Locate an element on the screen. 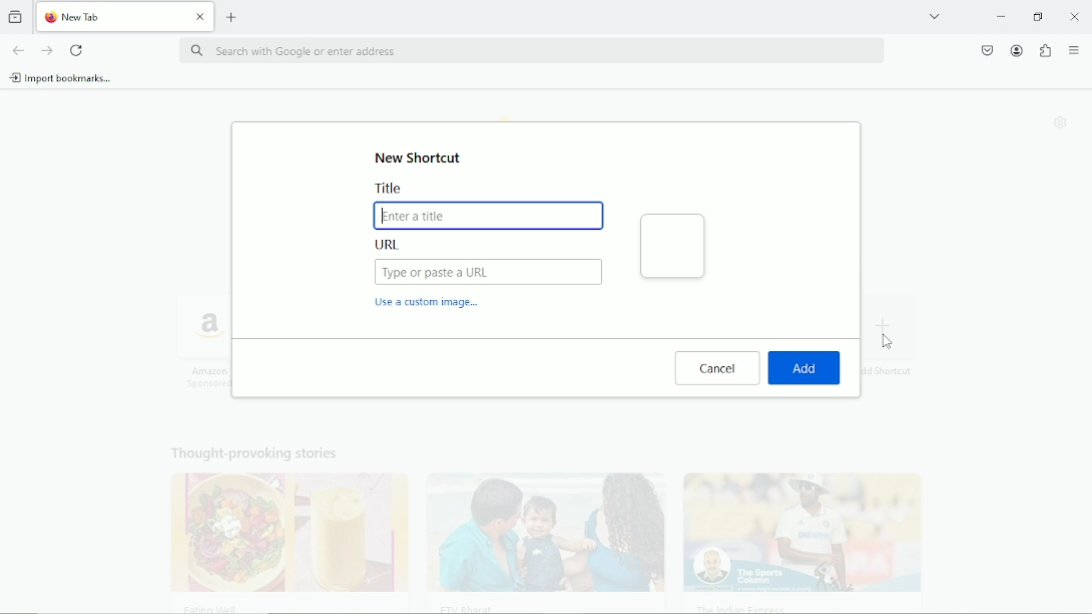 This screenshot has width=1092, height=614. restore down is located at coordinates (1039, 16).